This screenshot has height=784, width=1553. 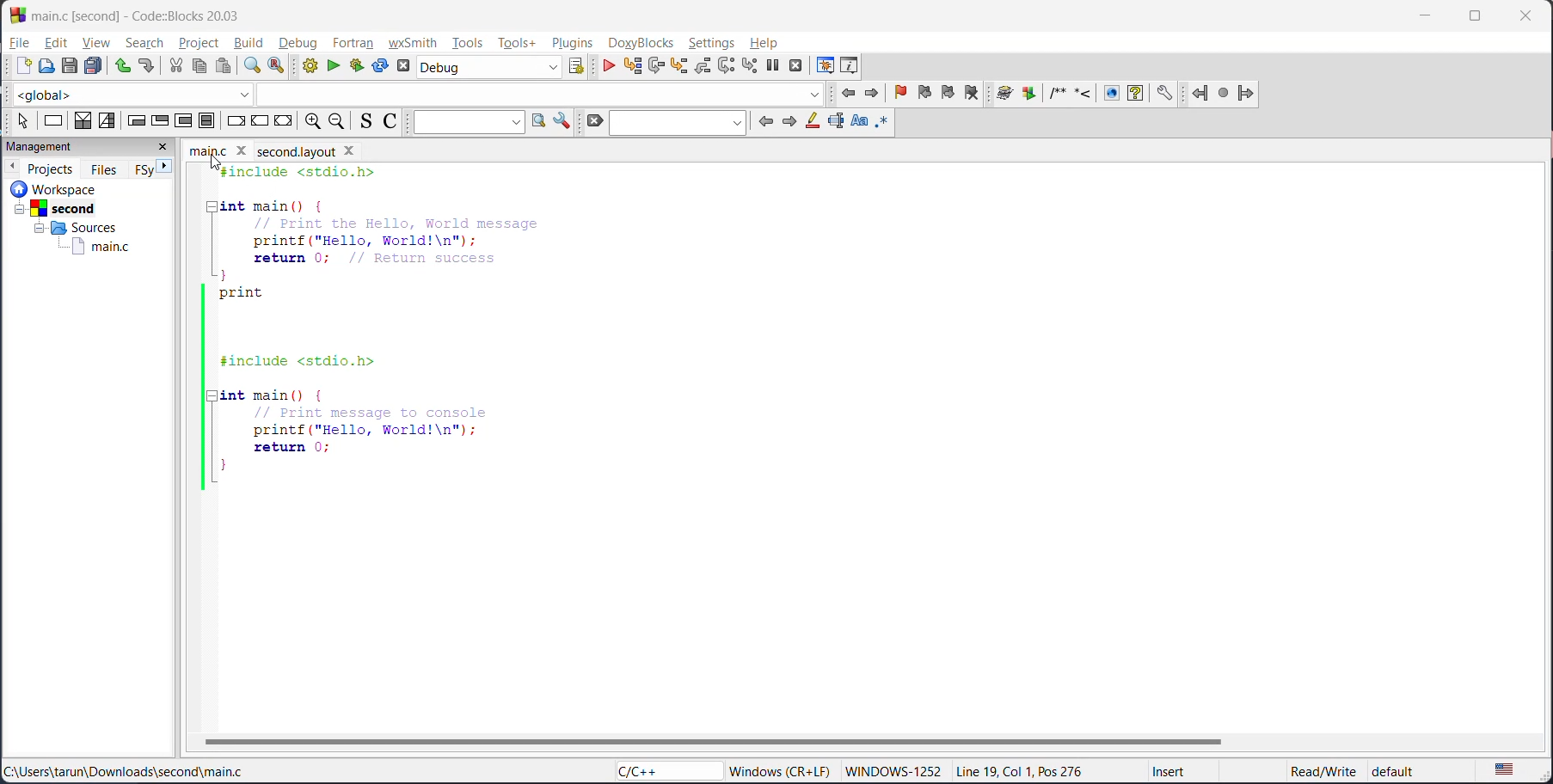 I want to click on Previous, so click(x=15, y=165).